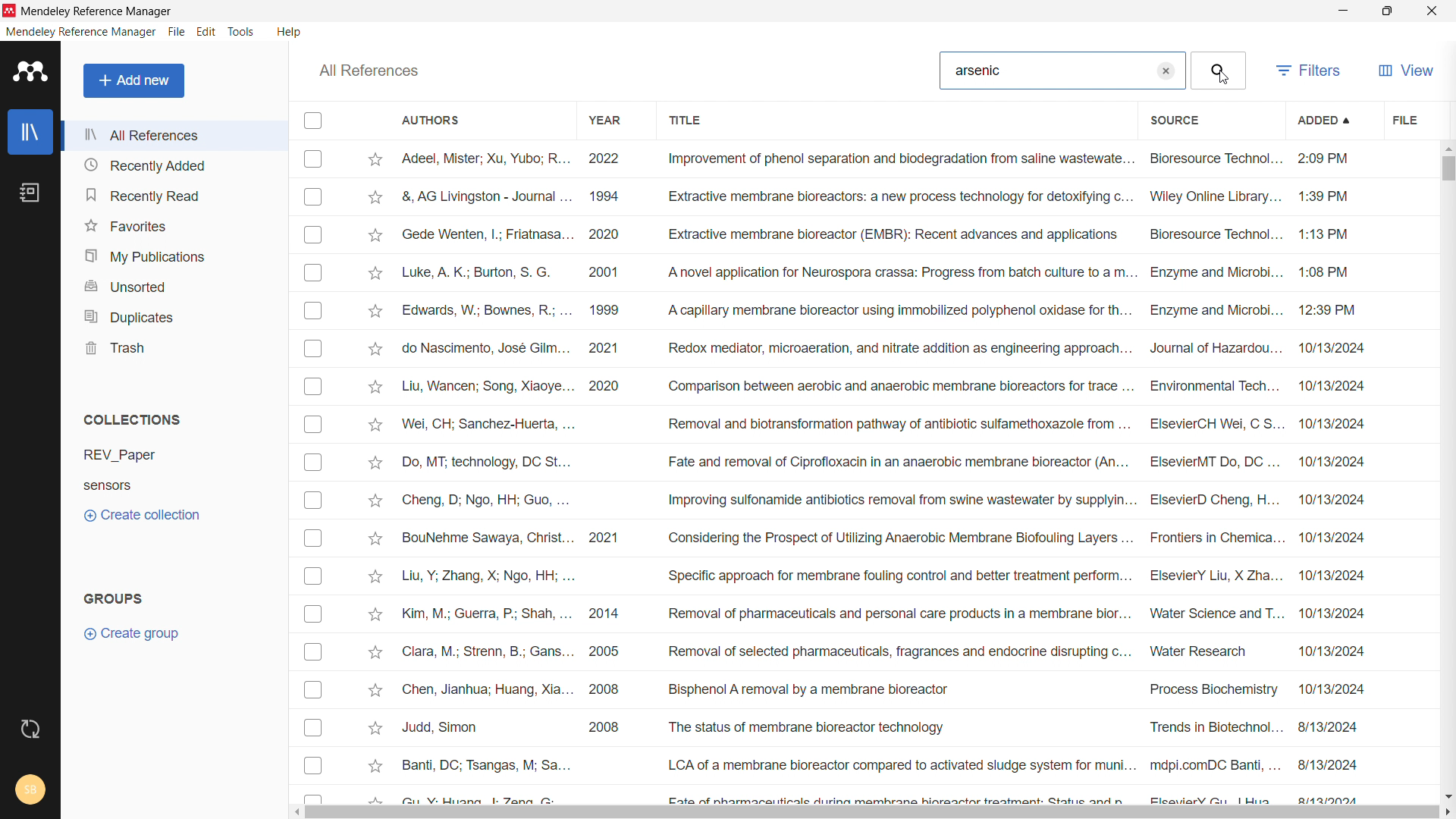 Image resolution: width=1456 pixels, height=819 pixels. I want to click on Add to favorites, so click(374, 689).